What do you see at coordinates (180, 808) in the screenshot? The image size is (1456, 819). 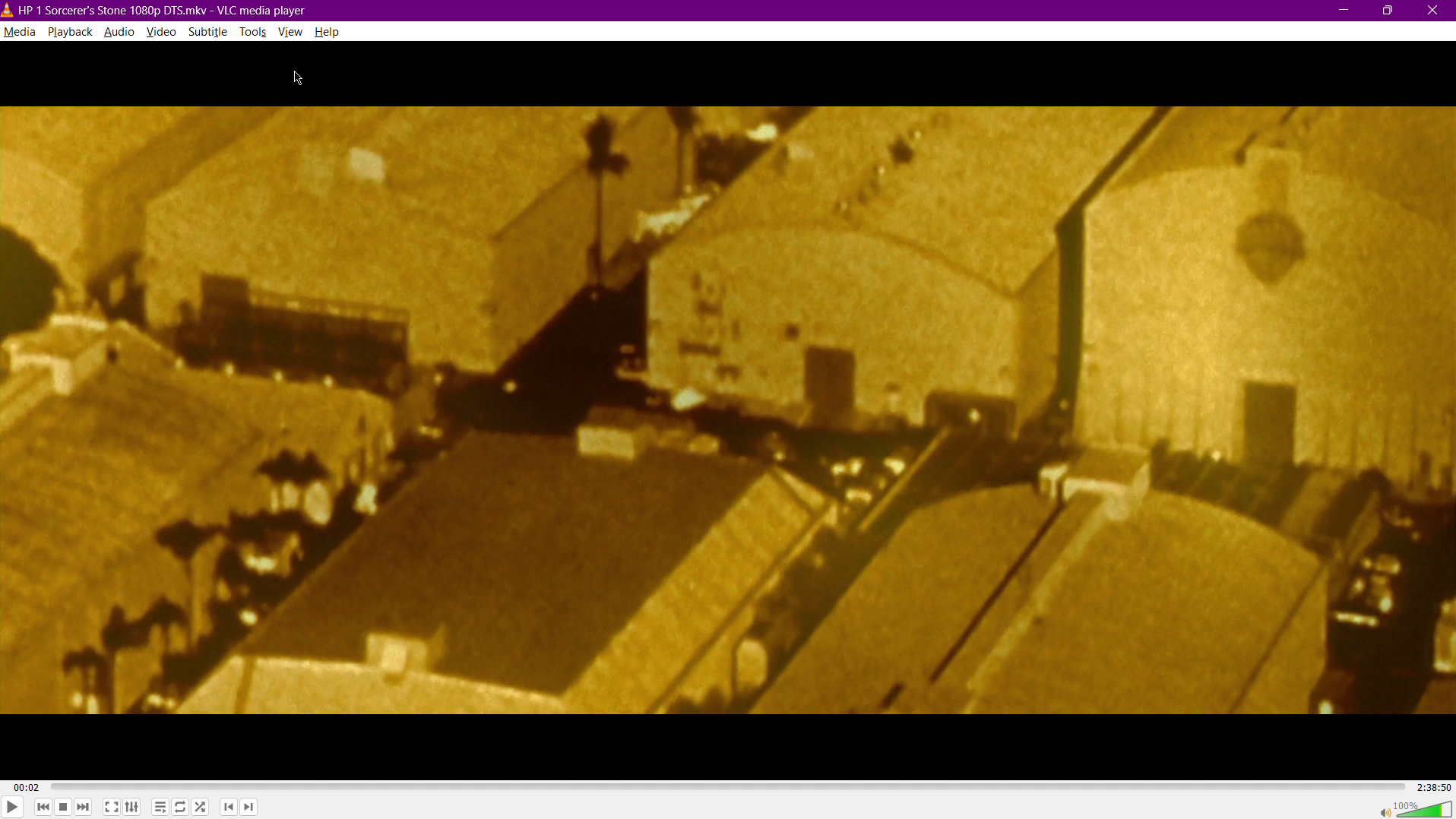 I see `Toggle Loop` at bounding box center [180, 808].